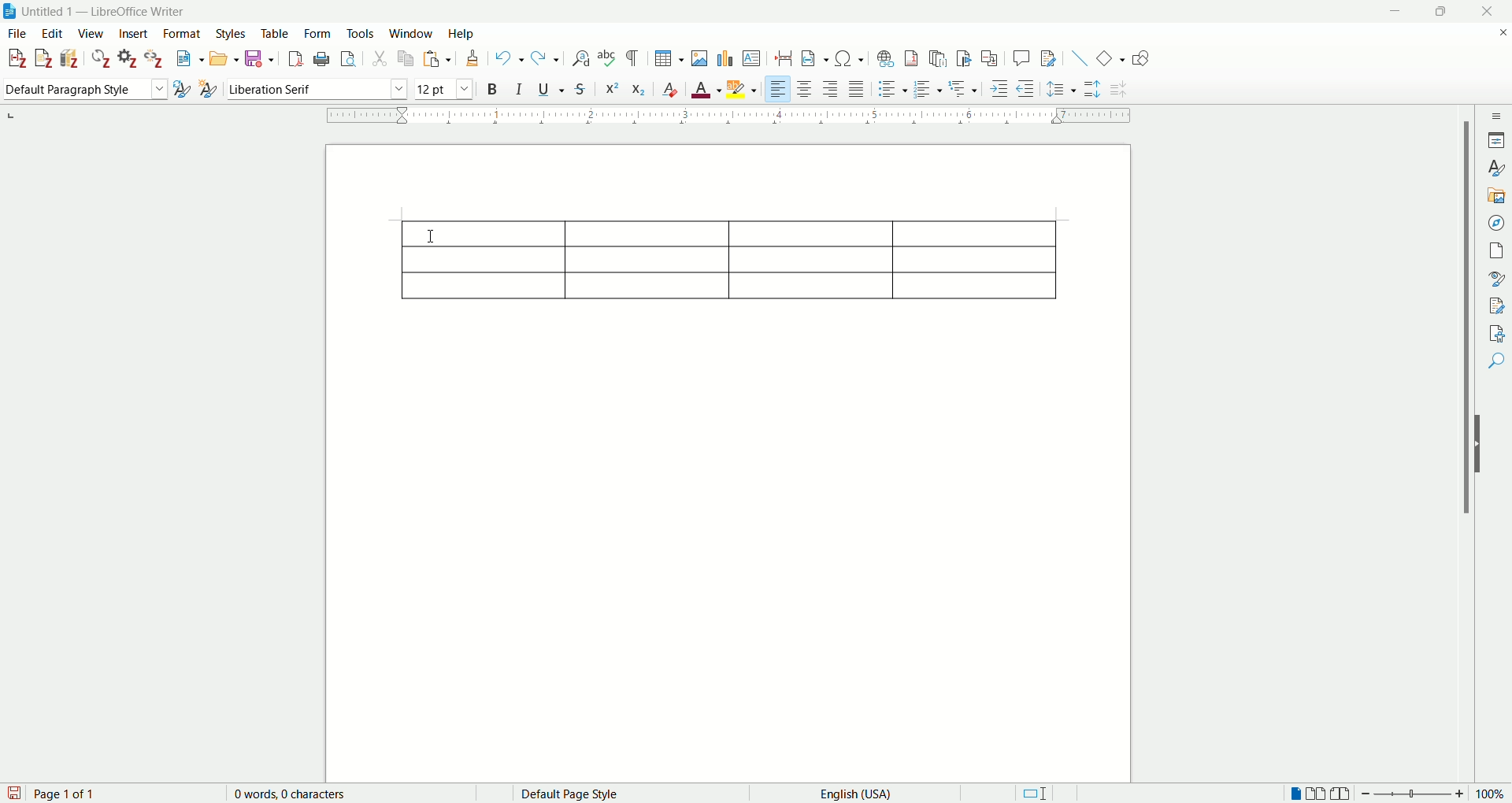  Describe the element at coordinates (91, 32) in the screenshot. I see `view` at that location.